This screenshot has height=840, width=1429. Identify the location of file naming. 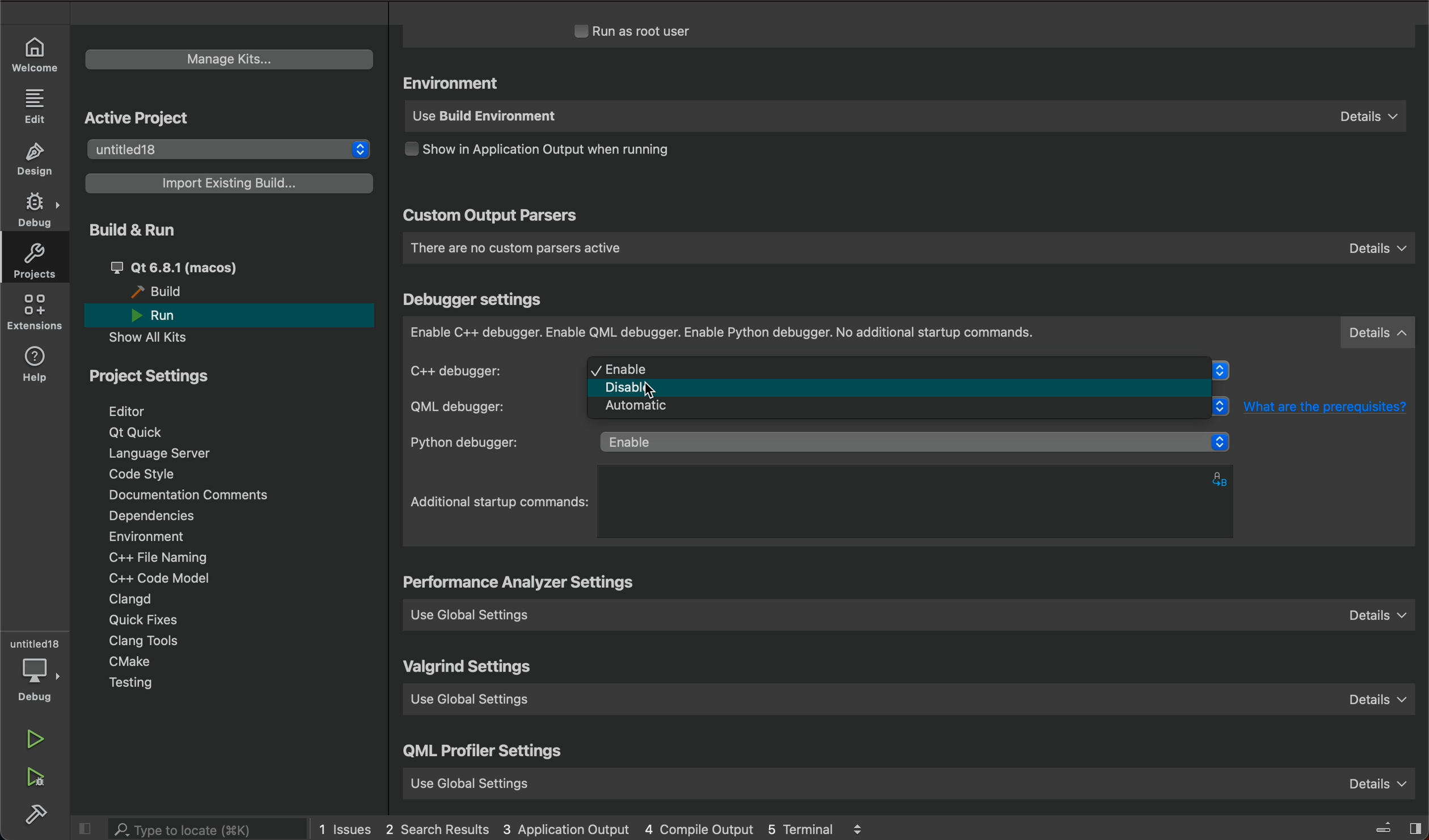
(164, 559).